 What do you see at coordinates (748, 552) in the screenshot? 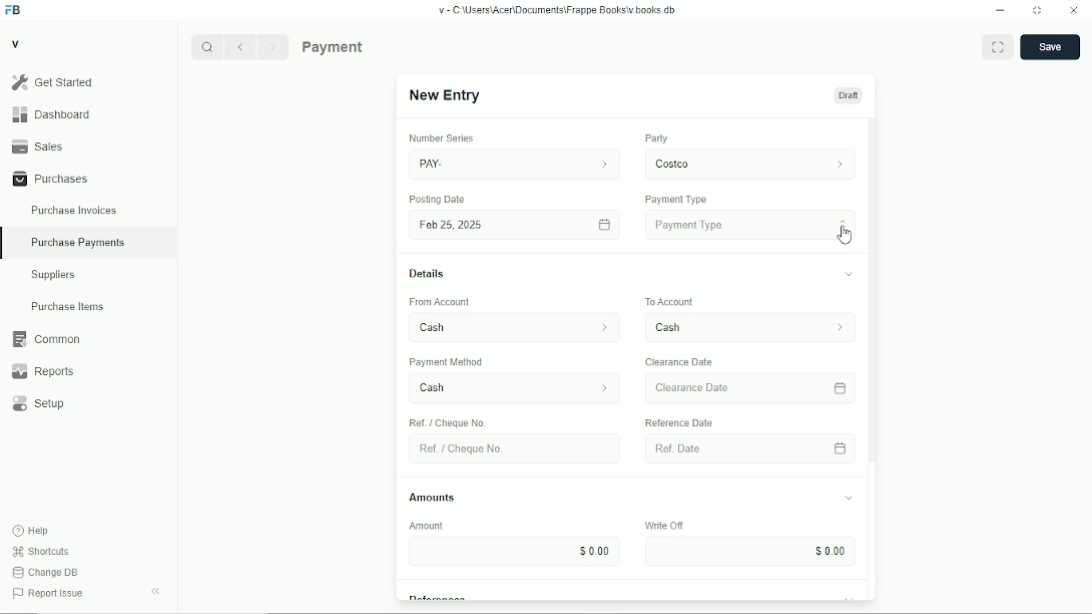
I see `` at bounding box center [748, 552].